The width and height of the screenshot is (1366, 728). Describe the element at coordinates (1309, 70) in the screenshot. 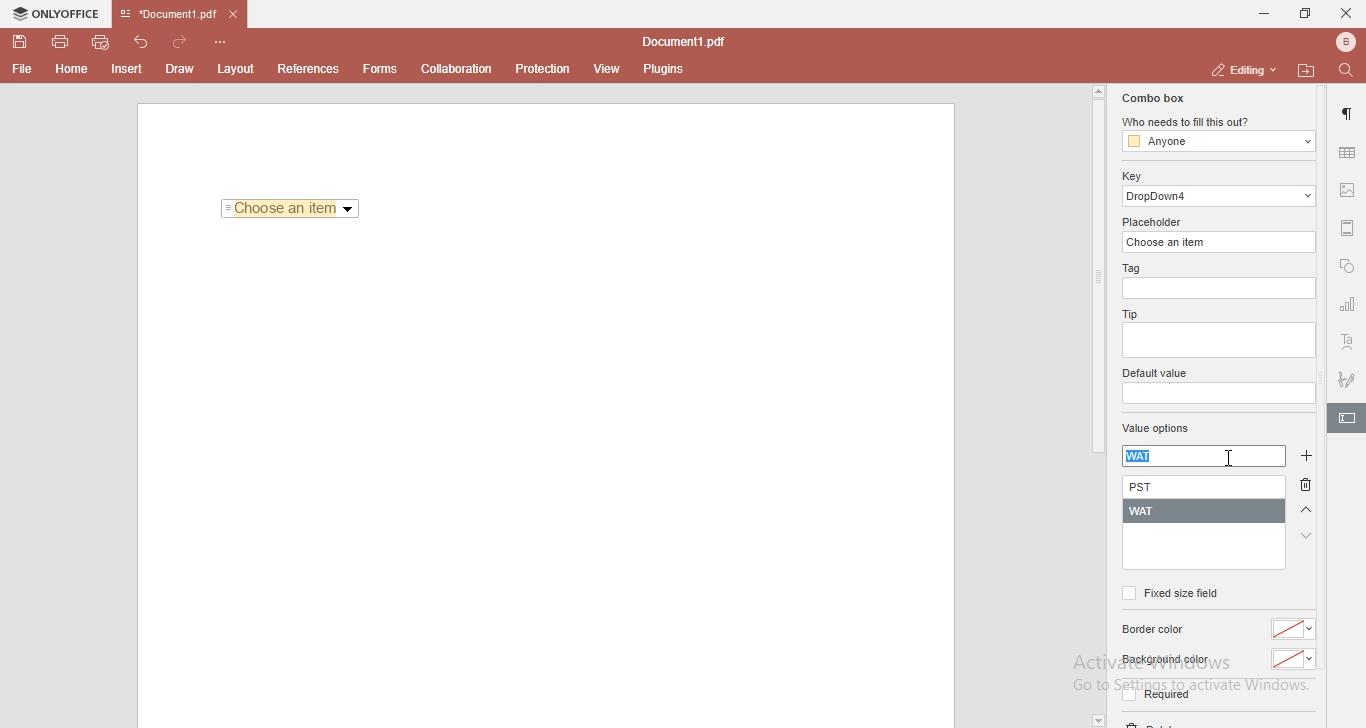

I see `open file location` at that location.